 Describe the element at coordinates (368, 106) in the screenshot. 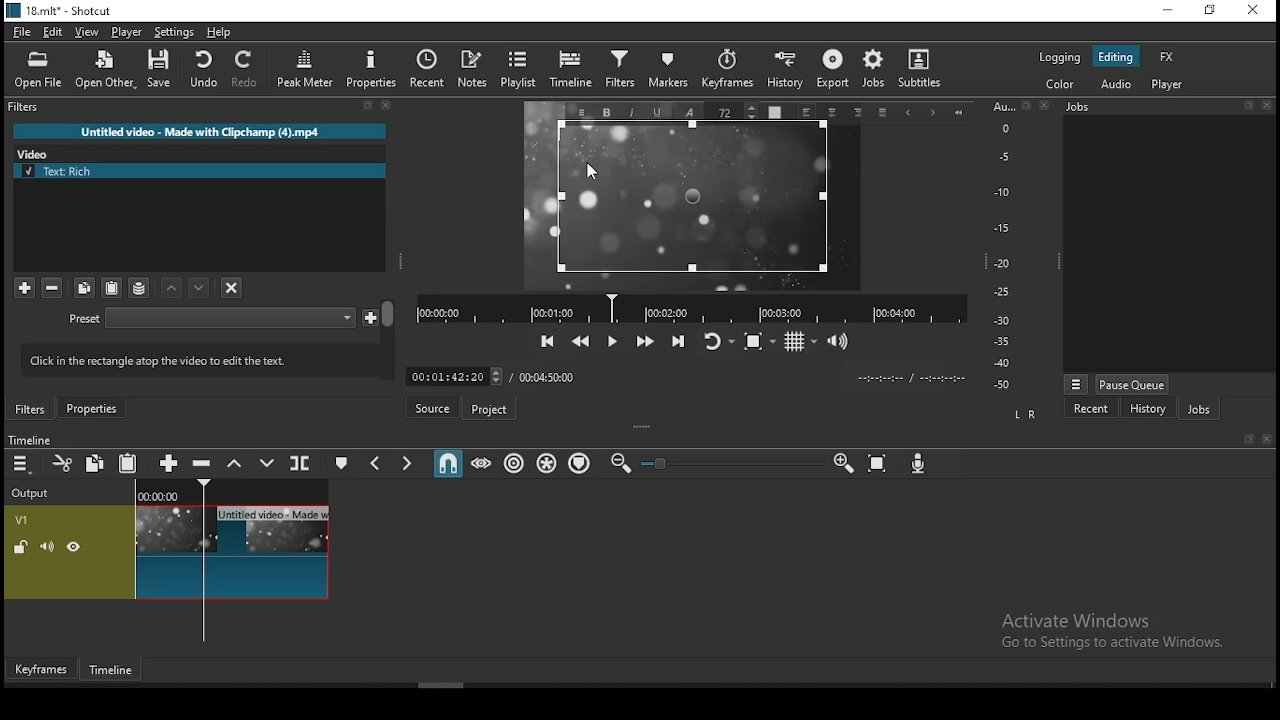

I see `Detach` at that location.